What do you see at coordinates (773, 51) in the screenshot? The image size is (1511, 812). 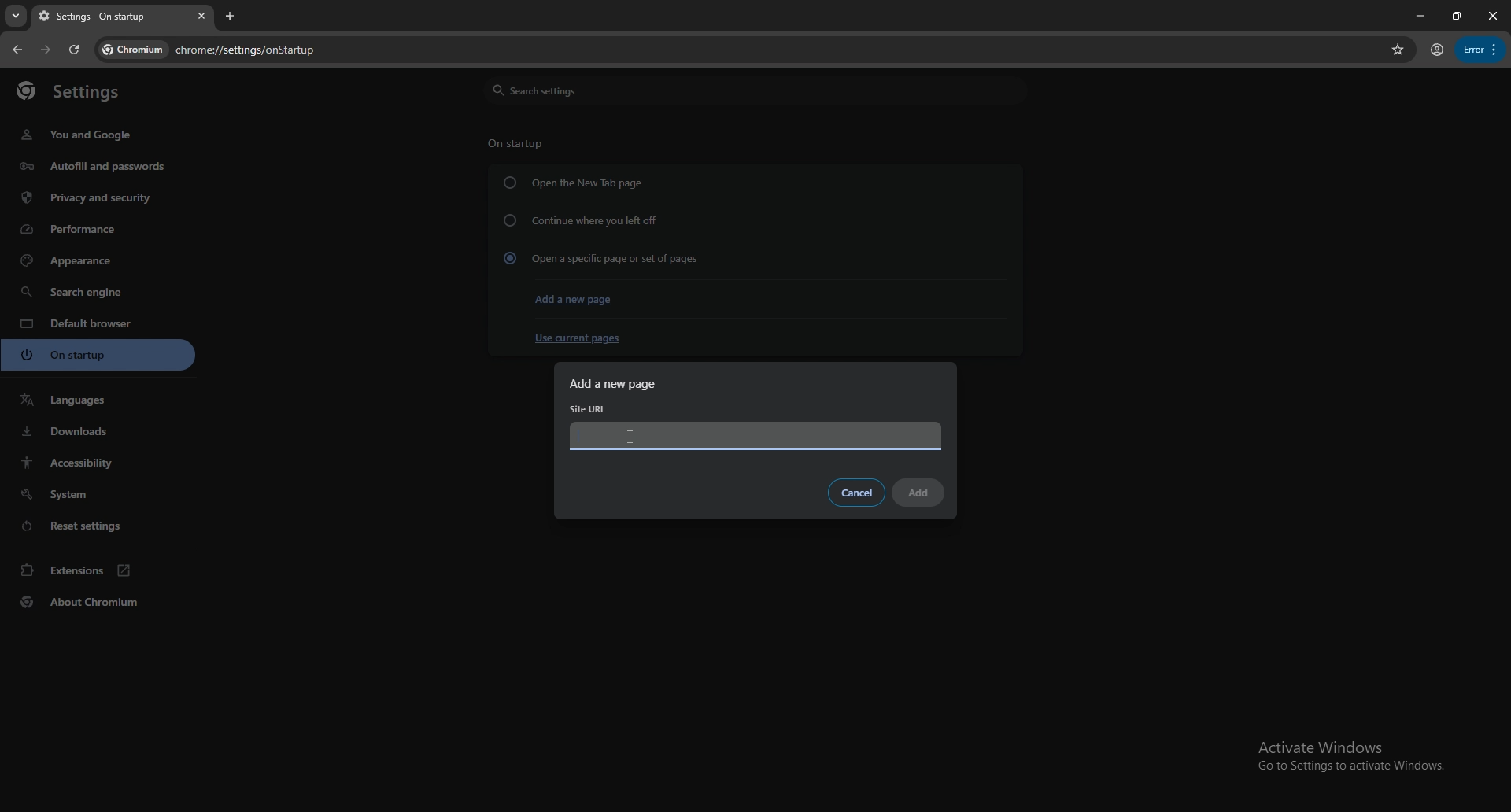 I see `search bar` at bounding box center [773, 51].